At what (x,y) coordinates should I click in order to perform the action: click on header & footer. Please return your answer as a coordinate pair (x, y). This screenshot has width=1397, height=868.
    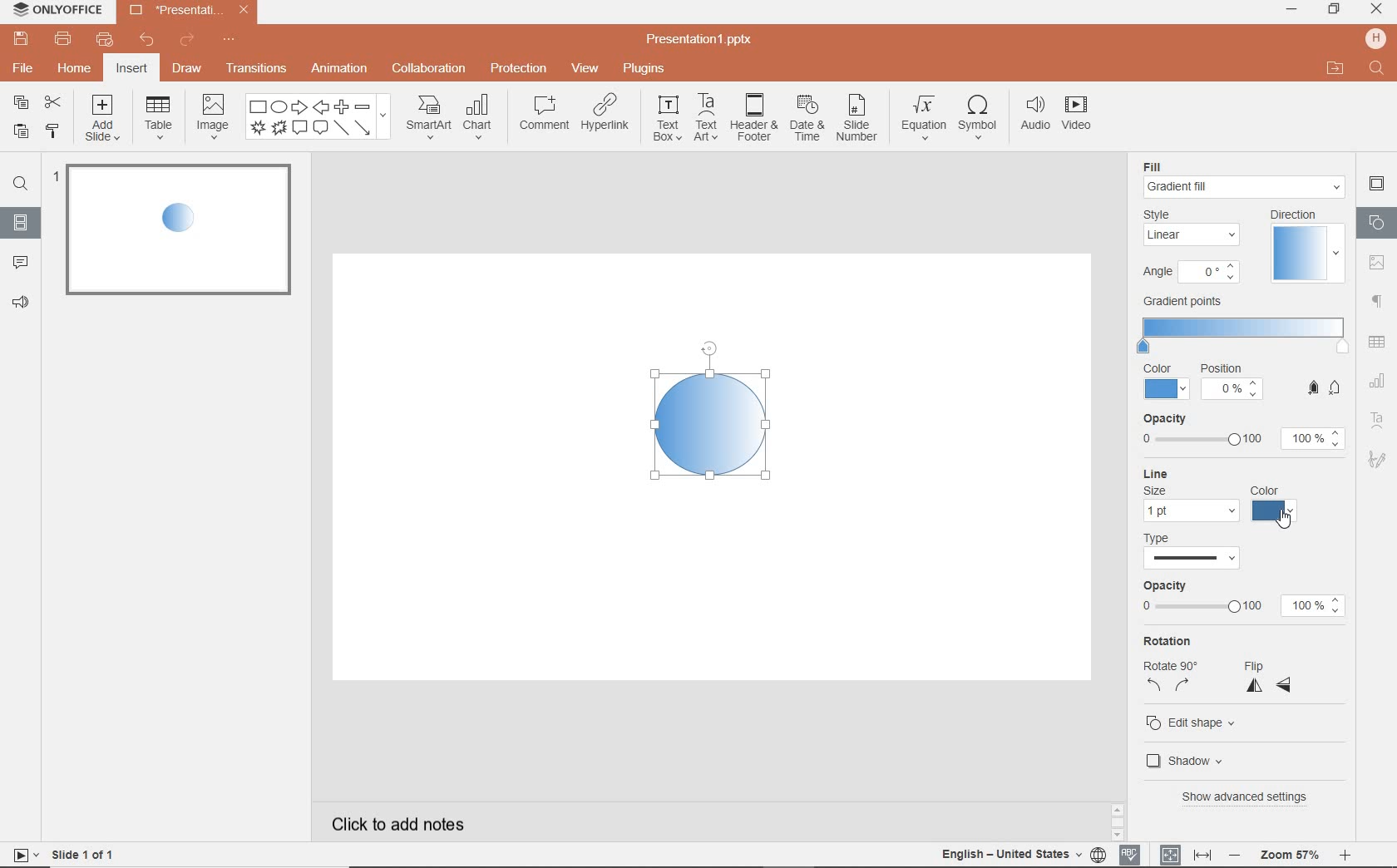
    Looking at the image, I should click on (754, 120).